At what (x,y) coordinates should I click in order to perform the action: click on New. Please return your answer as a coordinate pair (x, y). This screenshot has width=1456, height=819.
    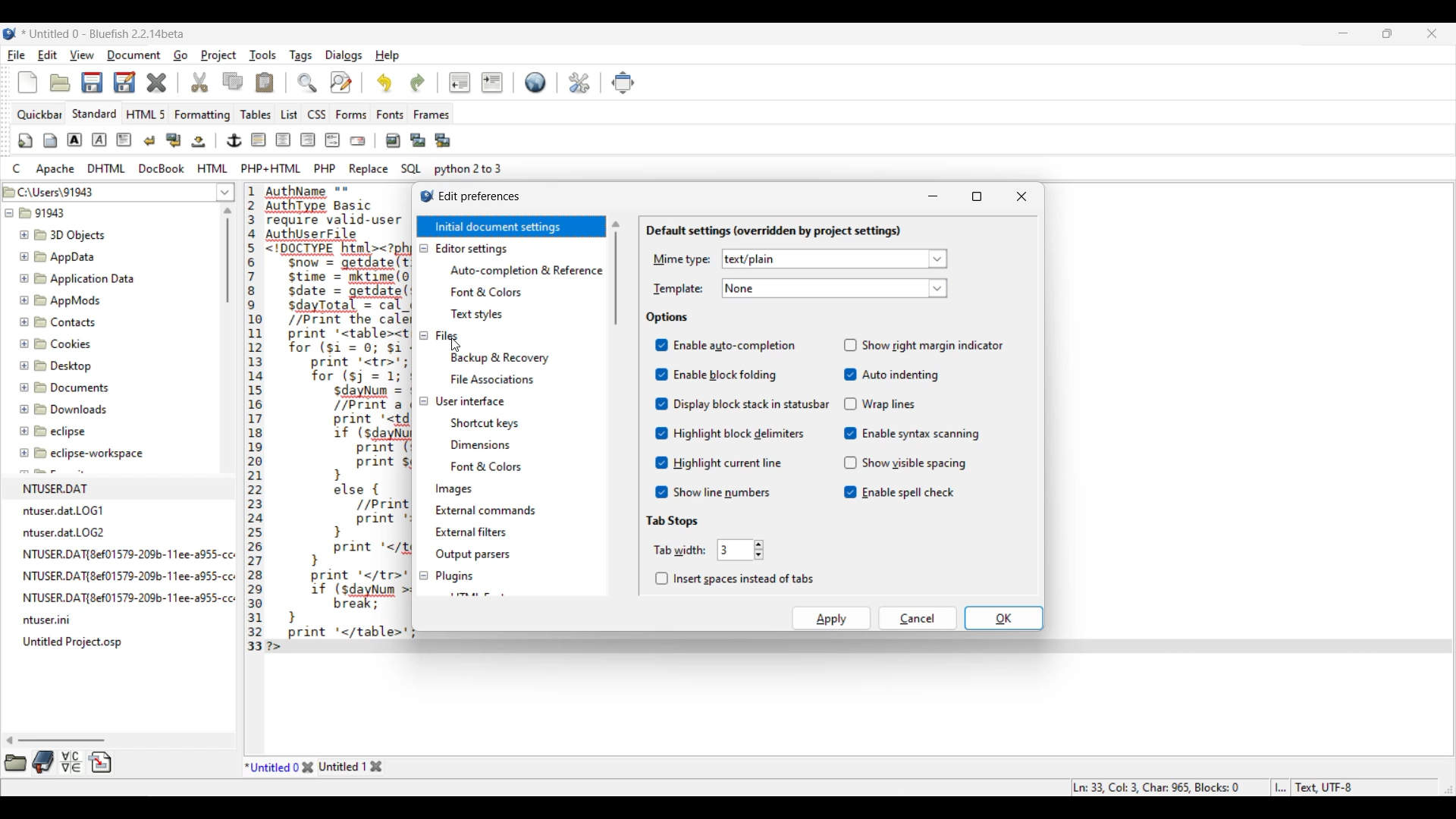
    Looking at the image, I should click on (27, 82).